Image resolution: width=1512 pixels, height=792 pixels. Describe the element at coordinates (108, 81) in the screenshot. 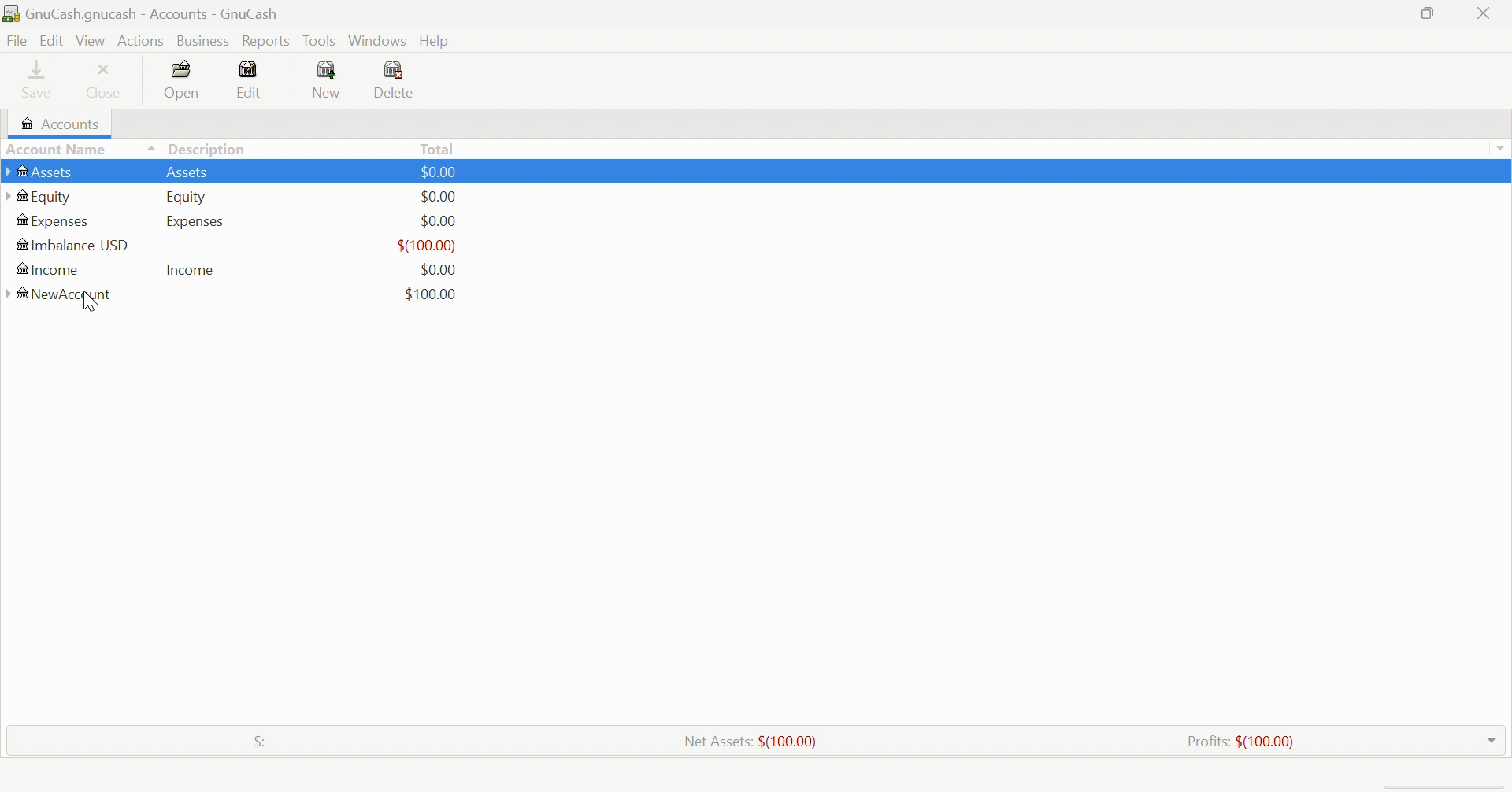

I see `Close` at that location.